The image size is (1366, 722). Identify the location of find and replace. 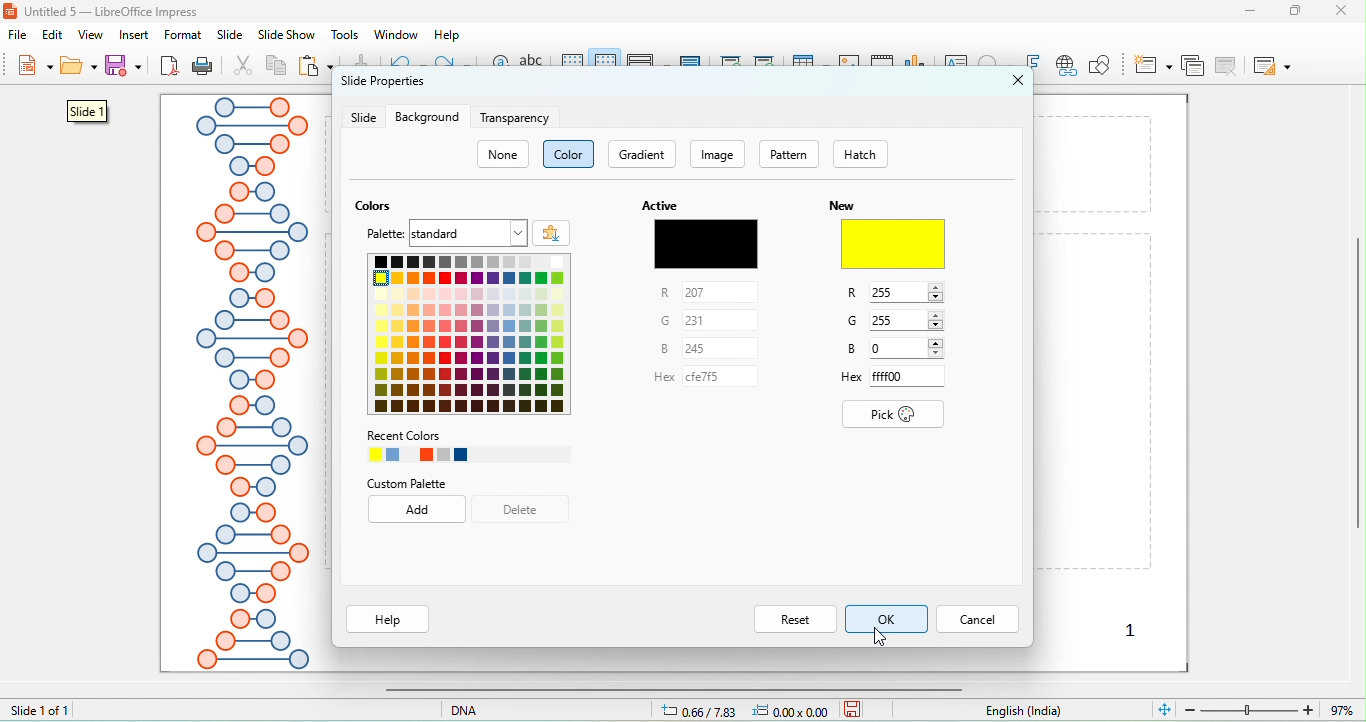
(499, 68).